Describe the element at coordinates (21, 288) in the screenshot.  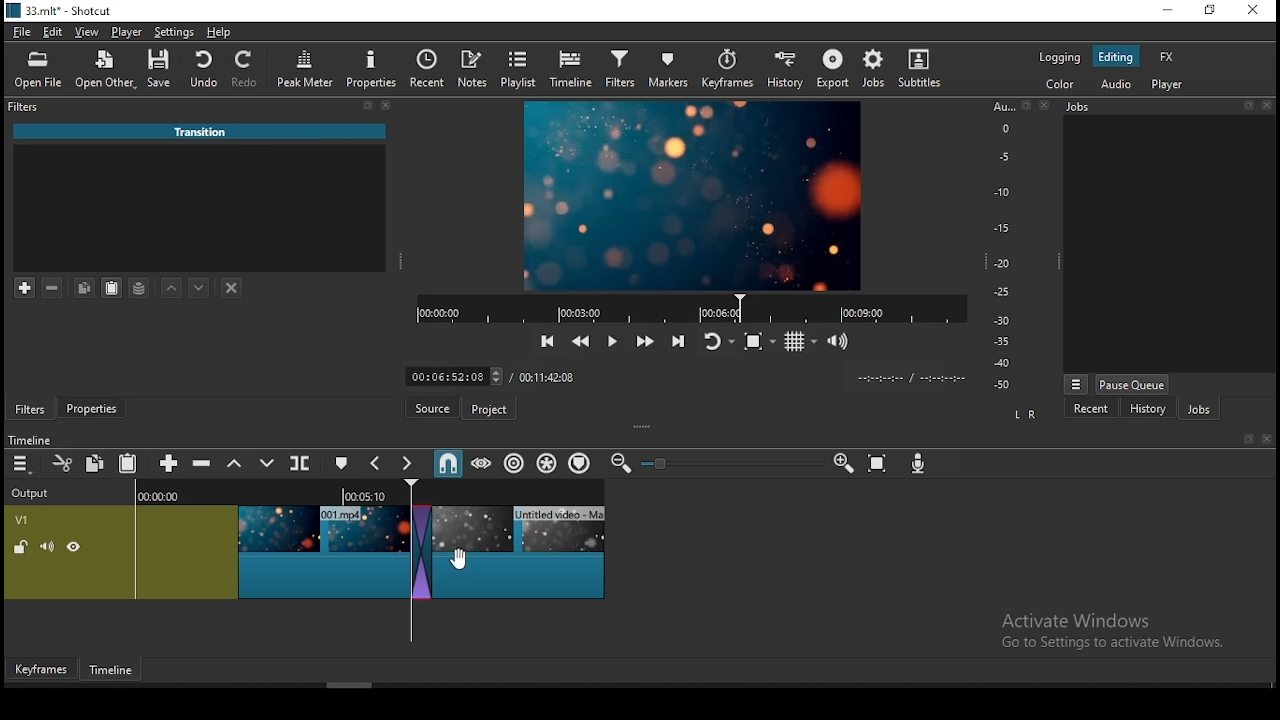
I see `add a filter` at that location.